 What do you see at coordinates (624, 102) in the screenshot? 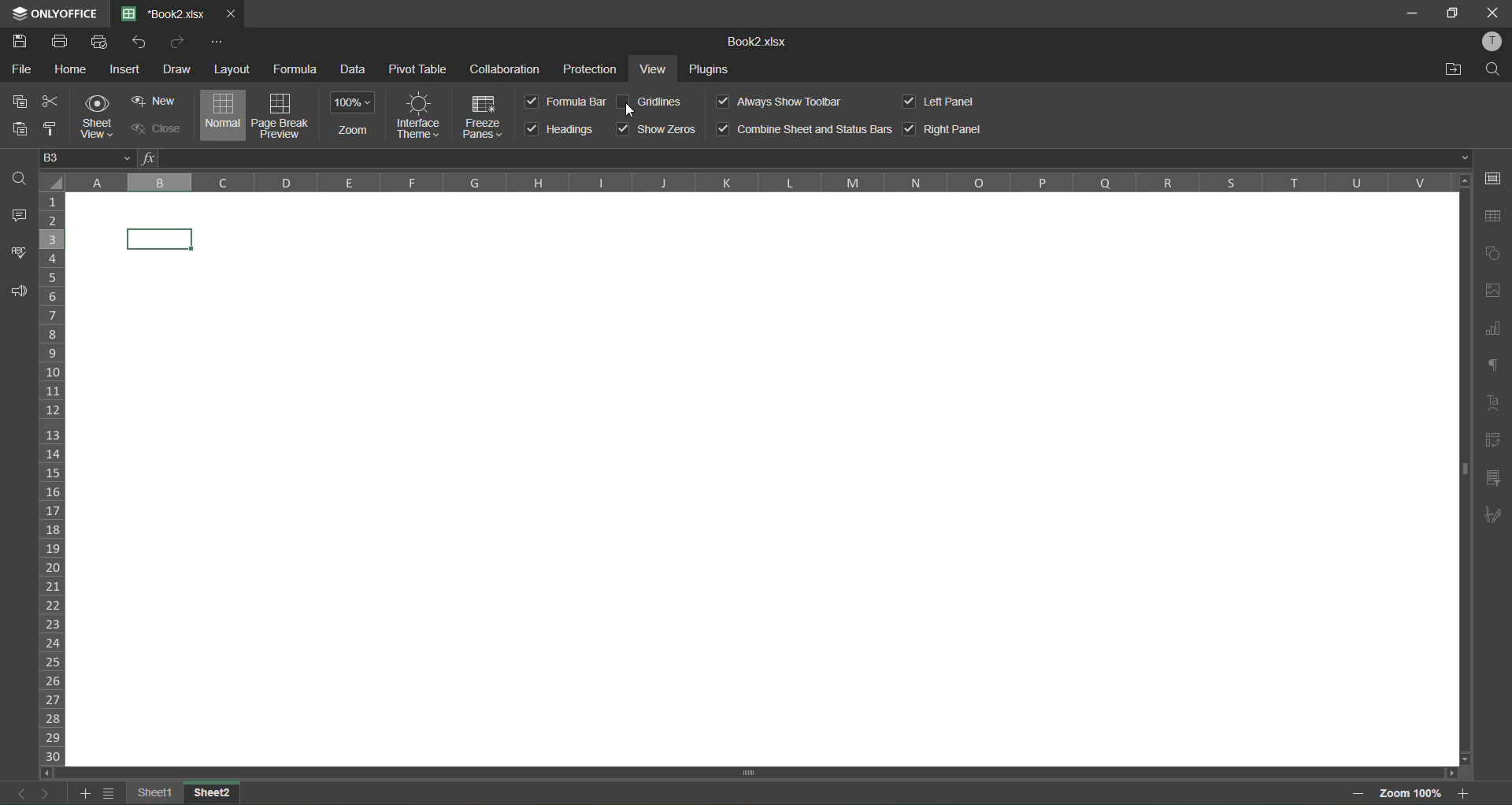
I see `gridline checkbox disabled` at bounding box center [624, 102].